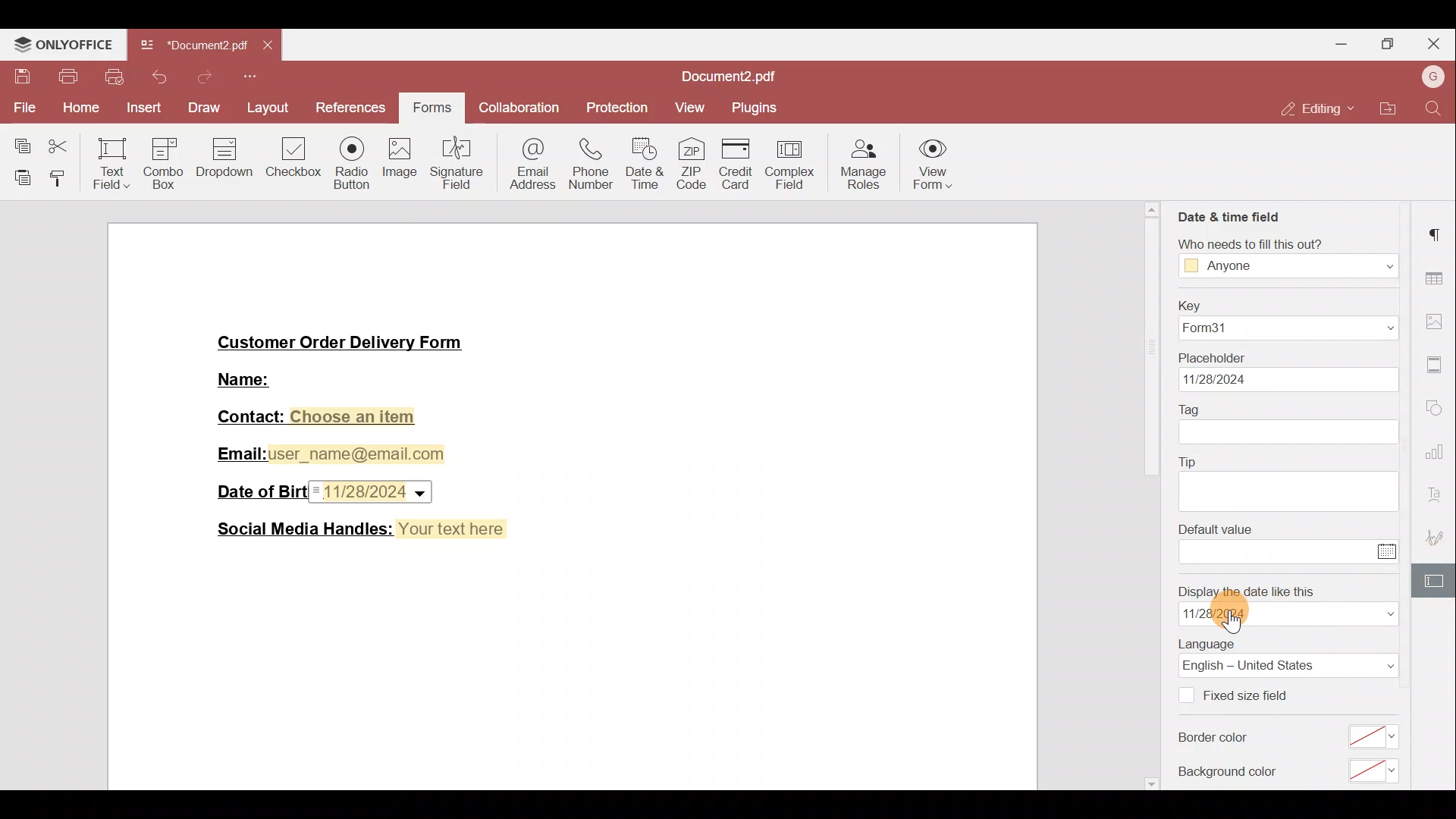 The height and width of the screenshot is (819, 1456). Describe the element at coordinates (430, 109) in the screenshot. I see `Forms` at that location.